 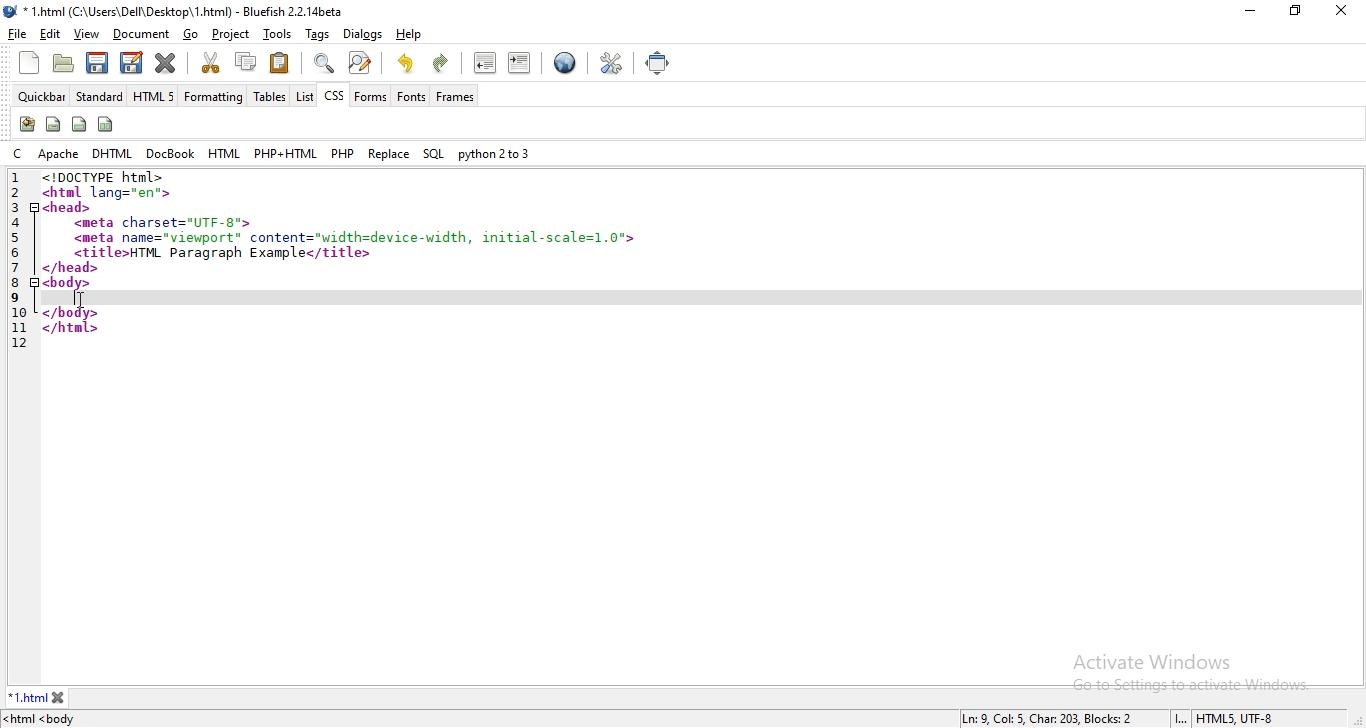 What do you see at coordinates (72, 268) in the screenshot?
I see `</head>` at bounding box center [72, 268].